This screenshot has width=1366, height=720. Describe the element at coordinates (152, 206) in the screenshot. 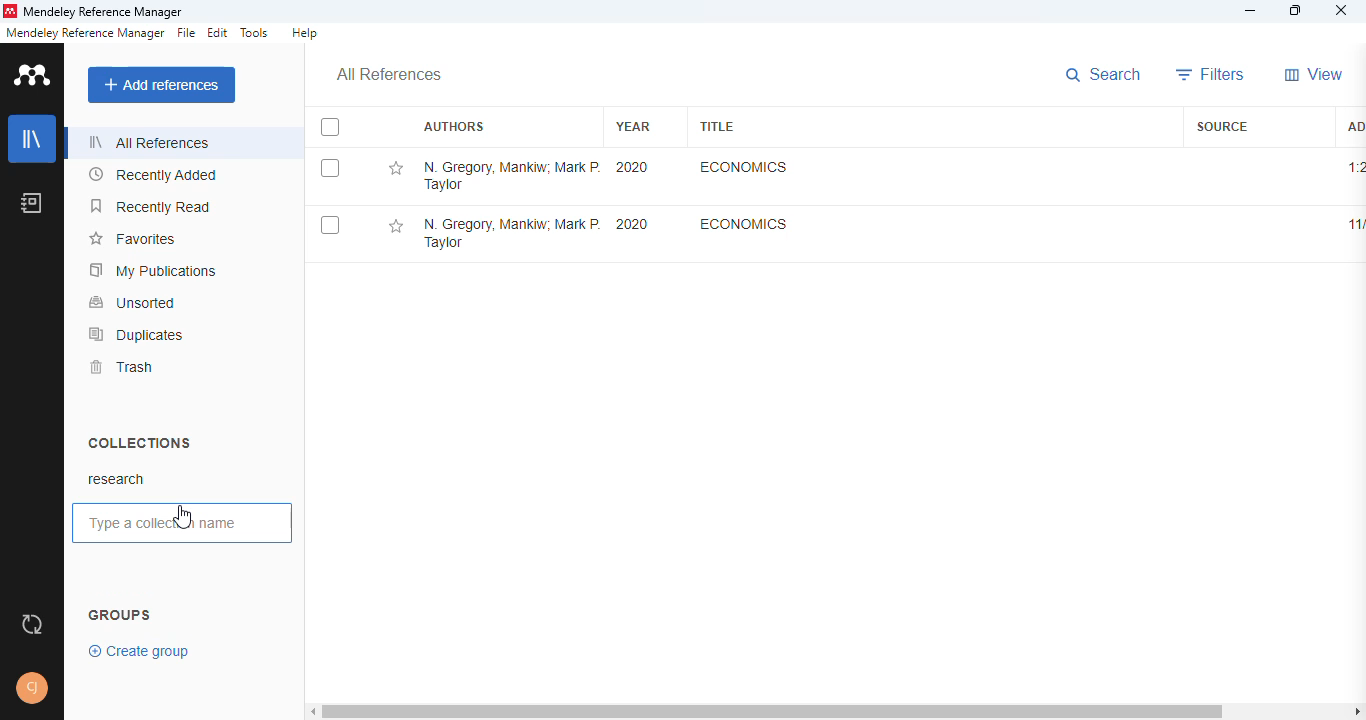

I see `recently read` at that location.